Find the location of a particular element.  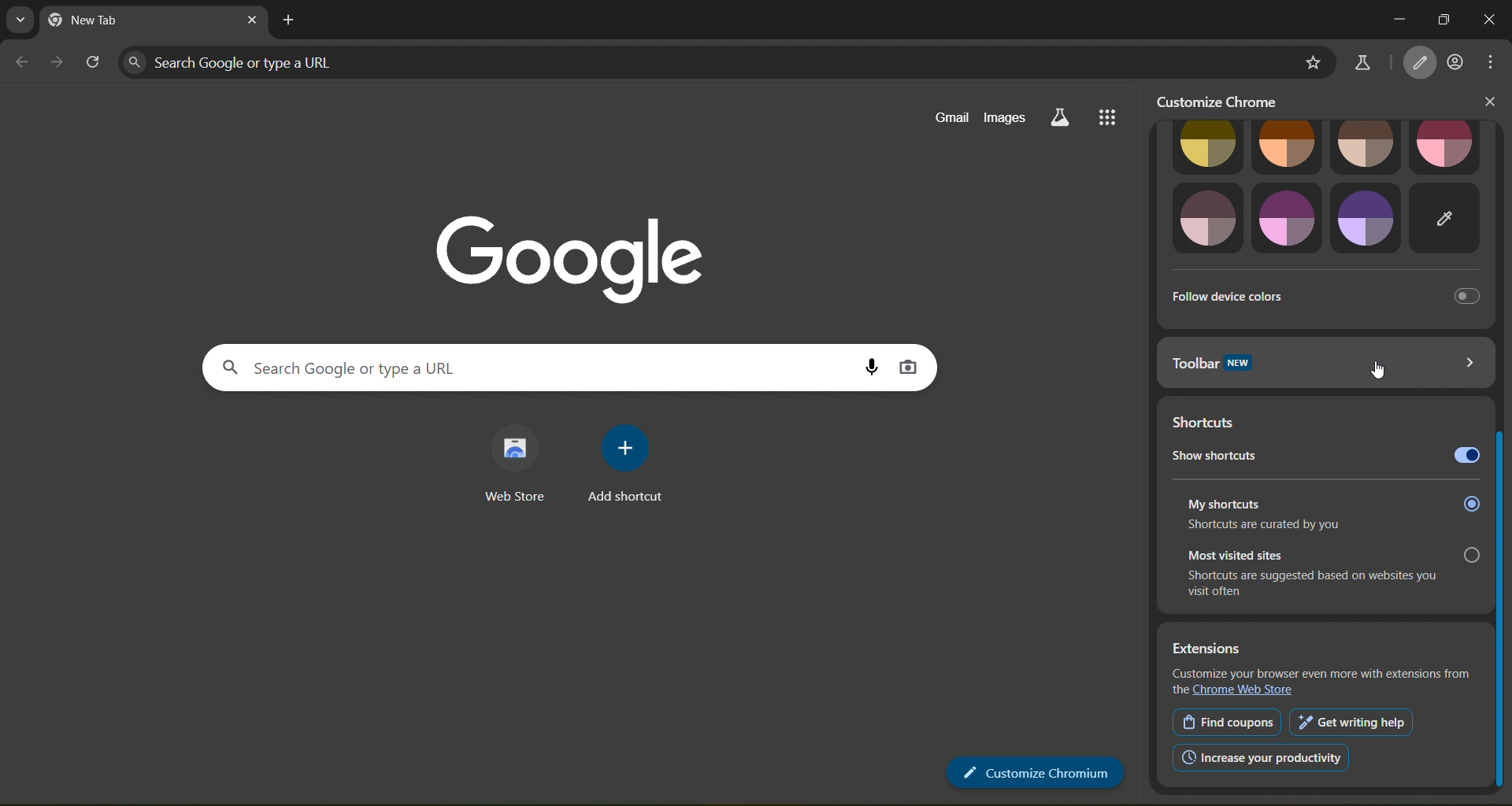

image is located at coordinates (1367, 218).